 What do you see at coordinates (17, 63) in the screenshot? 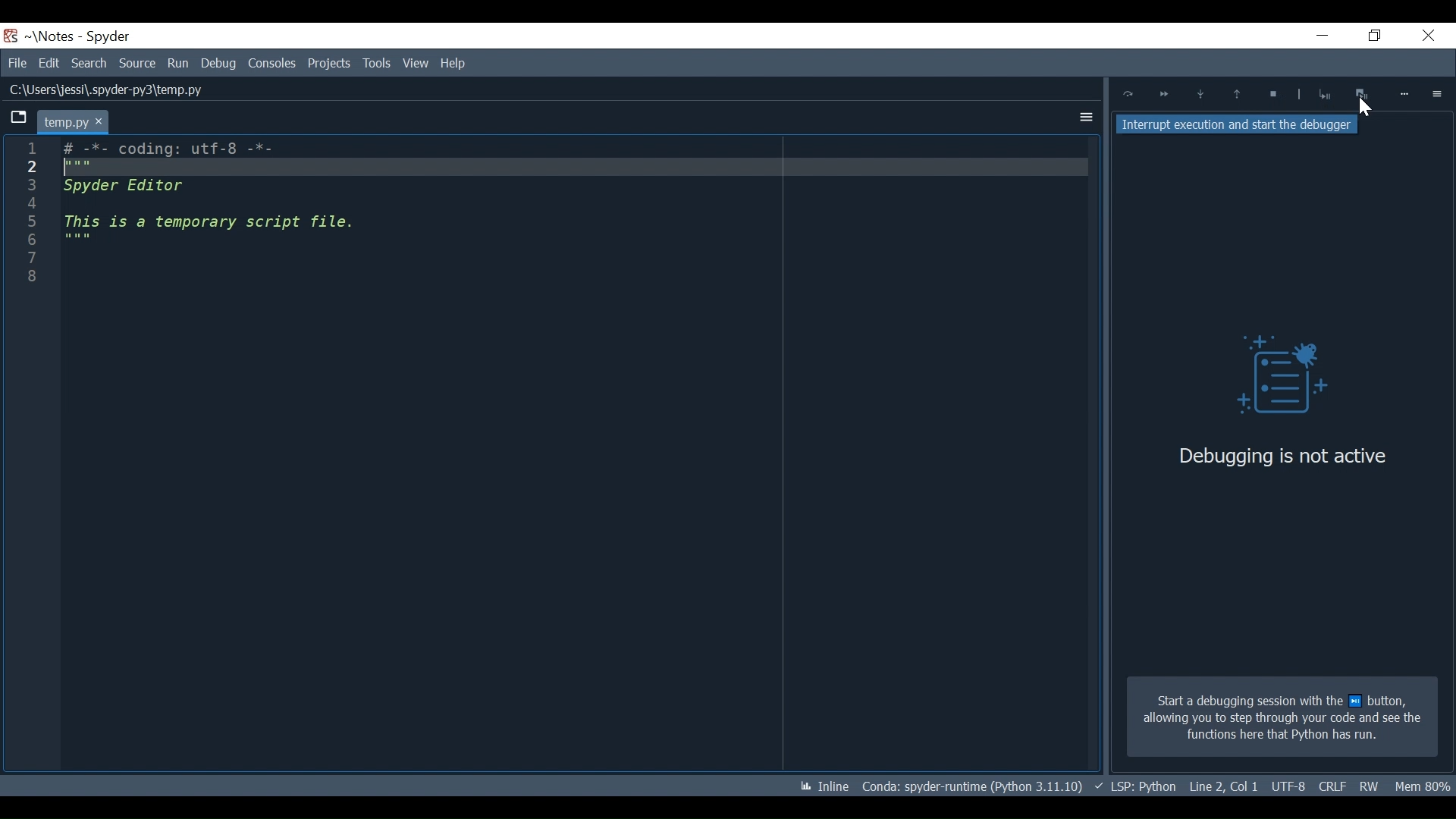
I see `File` at bounding box center [17, 63].